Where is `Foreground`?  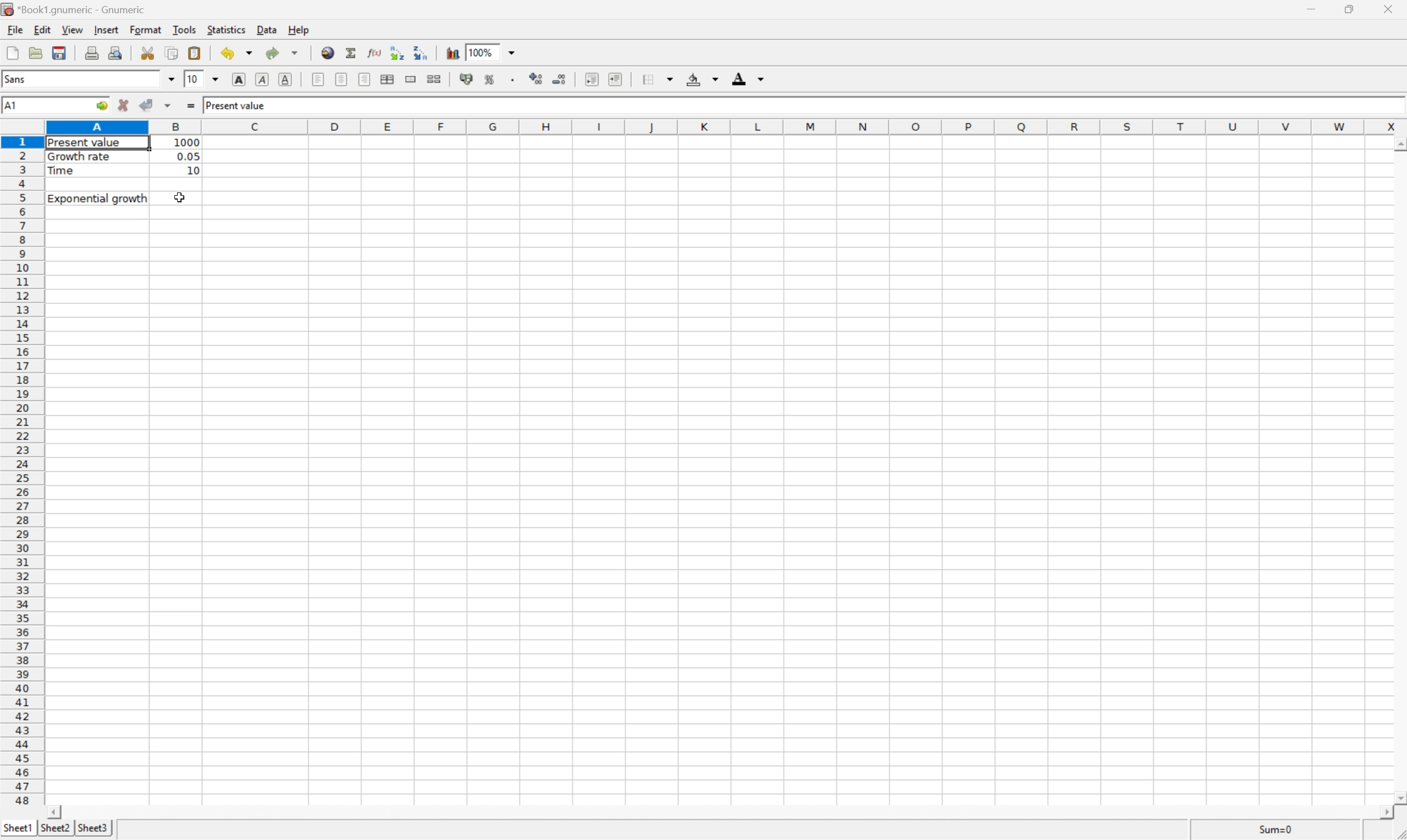 Foreground is located at coordinates (747, 78).